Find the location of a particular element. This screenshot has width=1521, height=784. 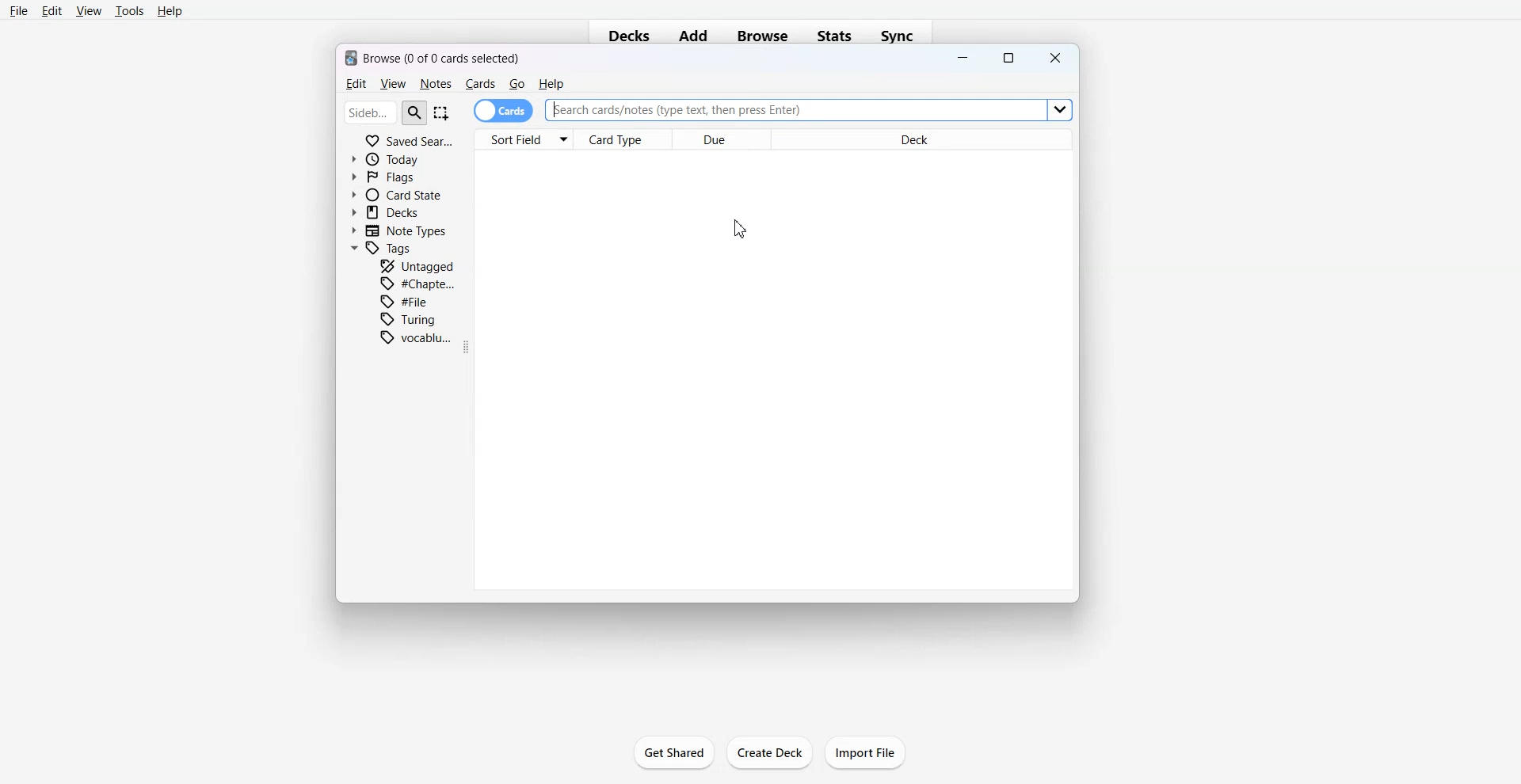

Create Deck is located at coordinates (770, 753).